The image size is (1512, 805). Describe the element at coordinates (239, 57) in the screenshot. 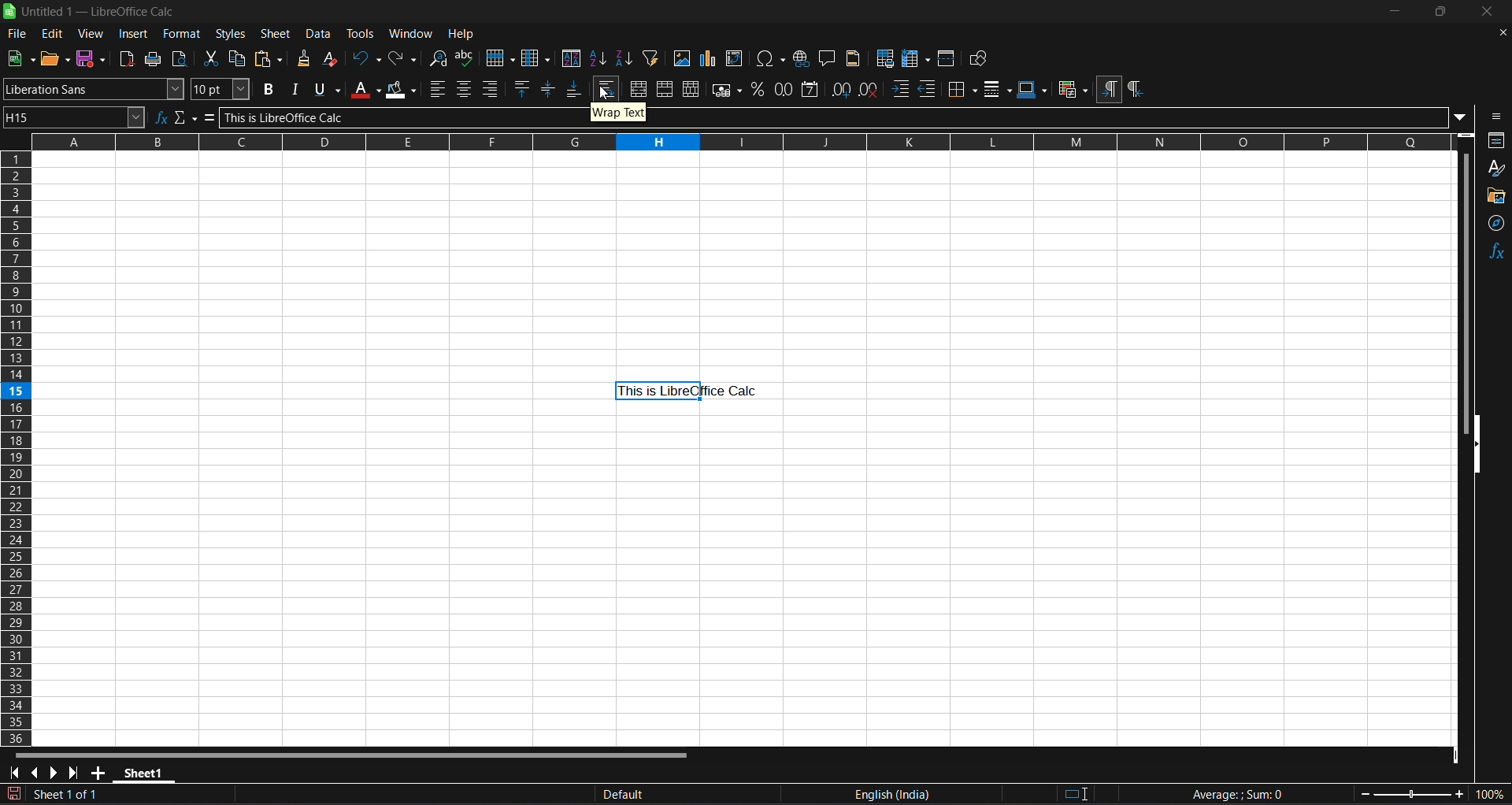

I see `copy` at that location.